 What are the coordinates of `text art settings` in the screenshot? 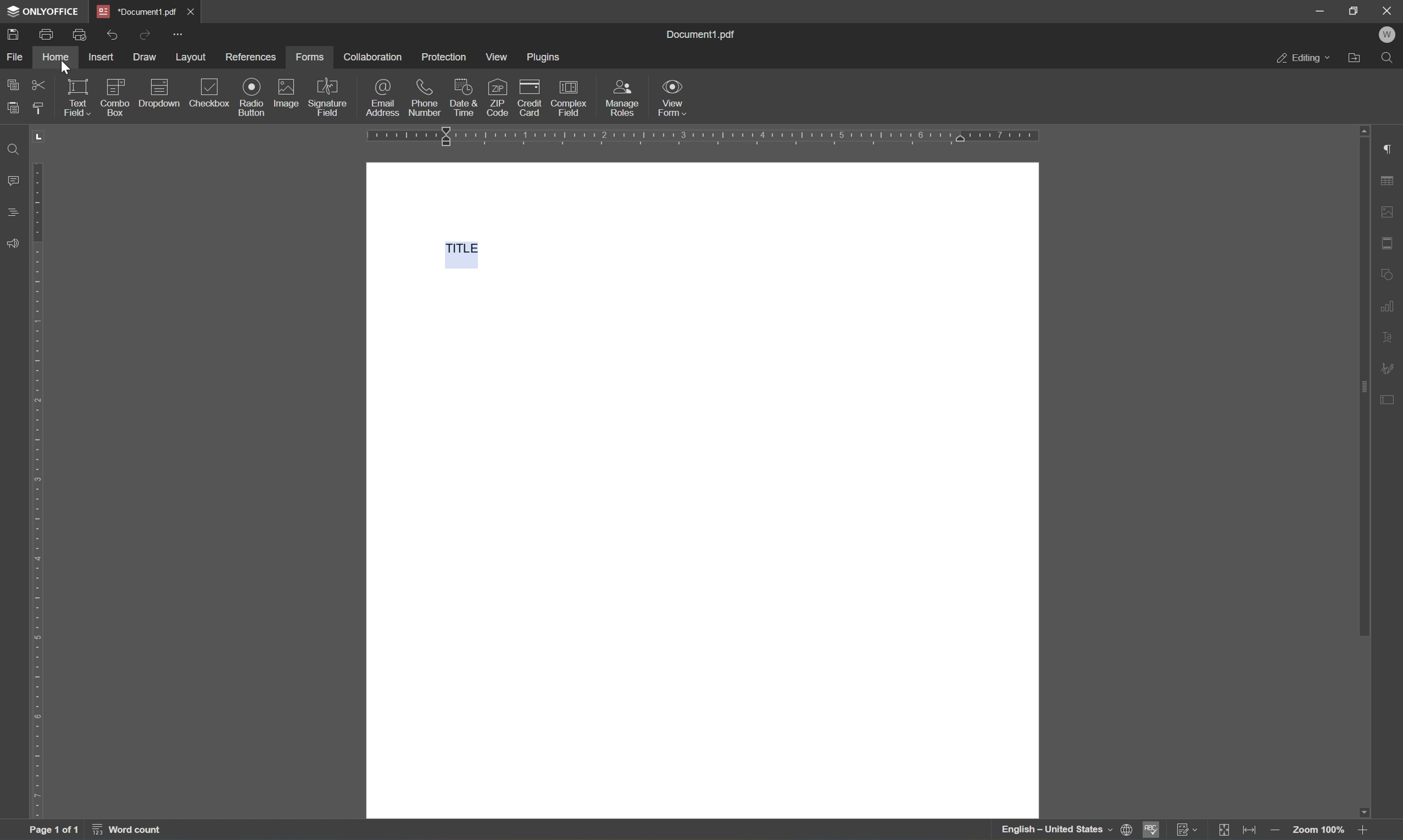 It's located at (1391, 335).